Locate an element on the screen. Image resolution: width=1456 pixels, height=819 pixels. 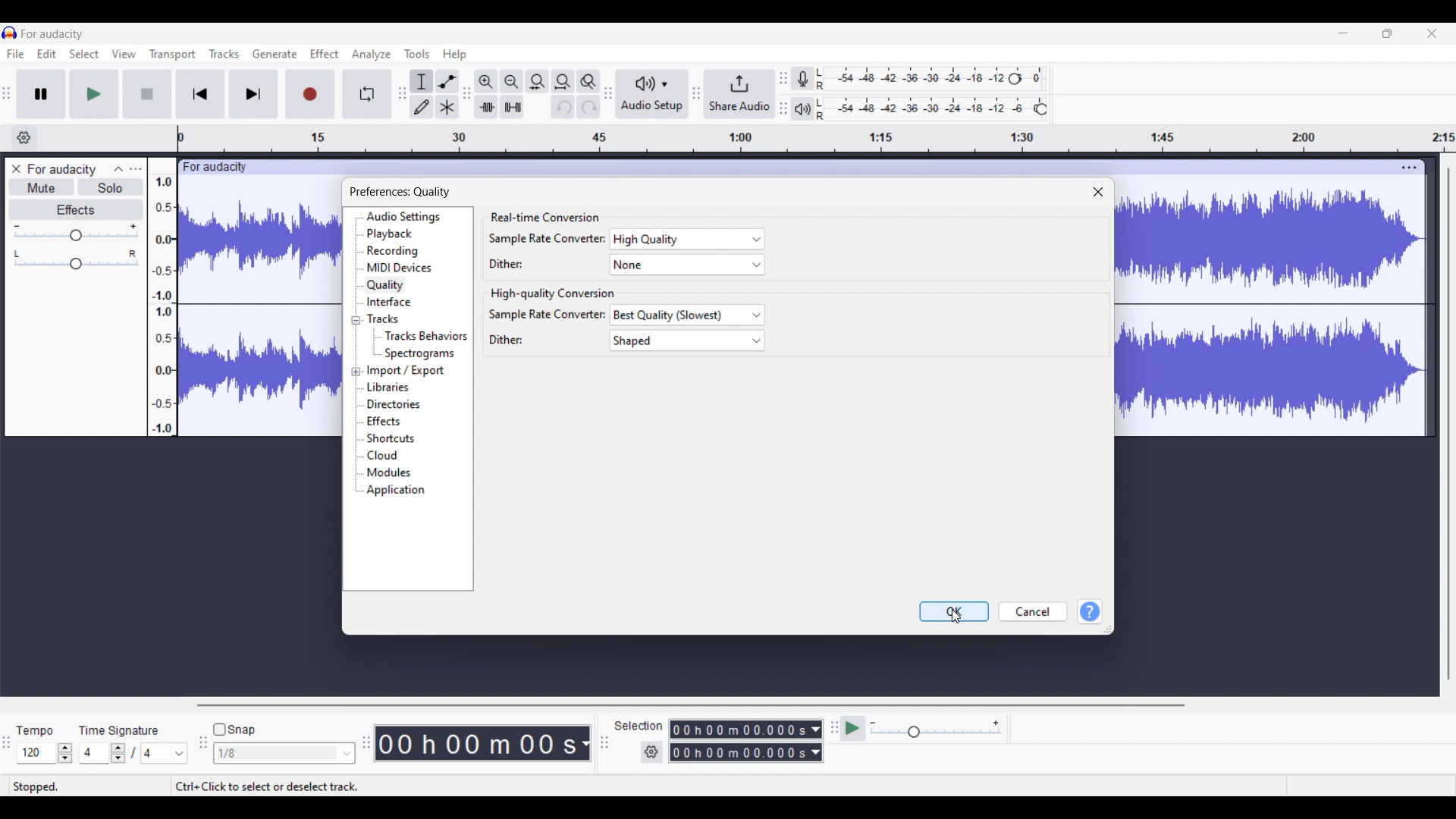
Settings is located at coordinates (651, 752).